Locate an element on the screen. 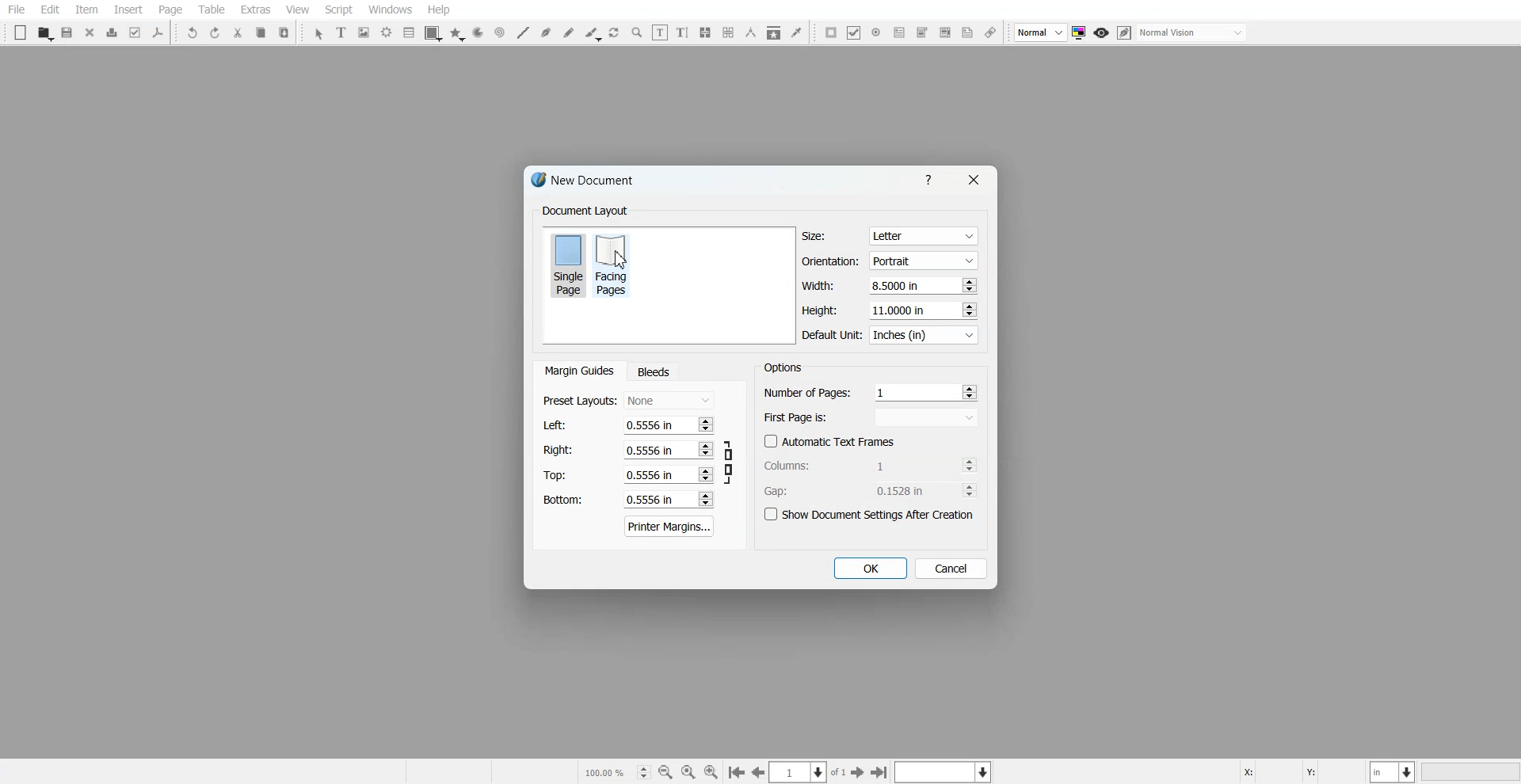 The width and height of the screenshot is (1521, 784). 1 is located at coordinates (883, 392).